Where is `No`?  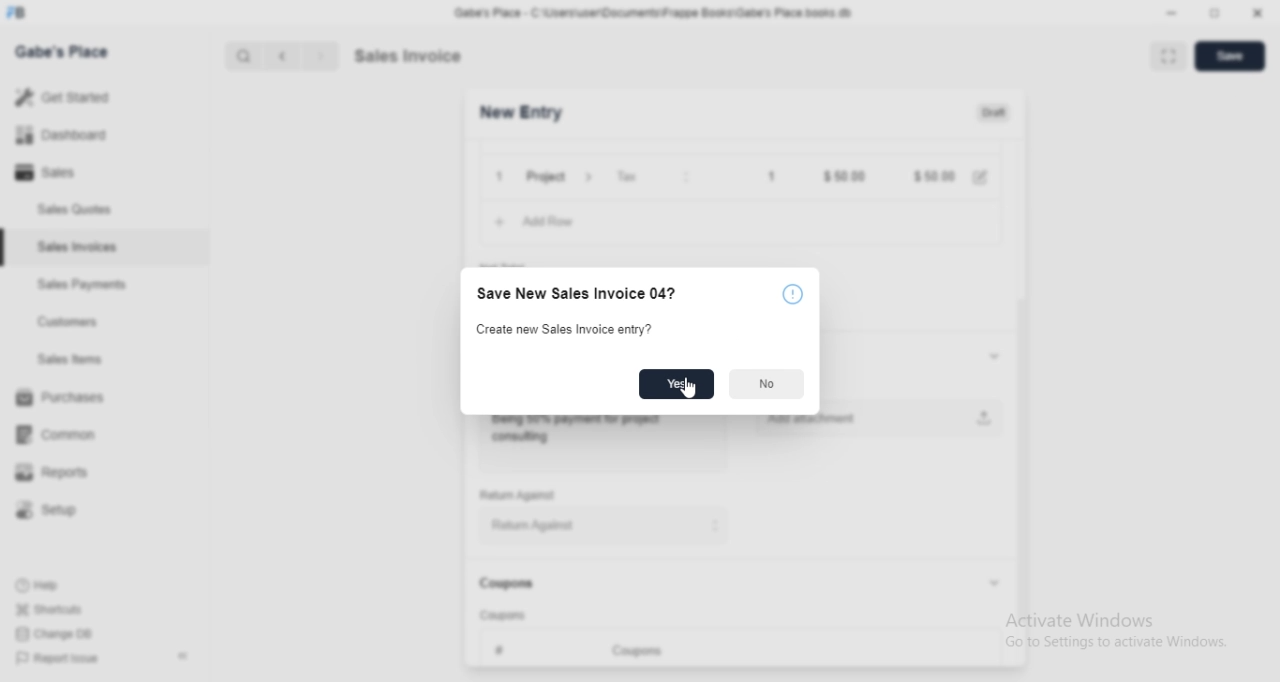 No is located at coordinates (767, 384).